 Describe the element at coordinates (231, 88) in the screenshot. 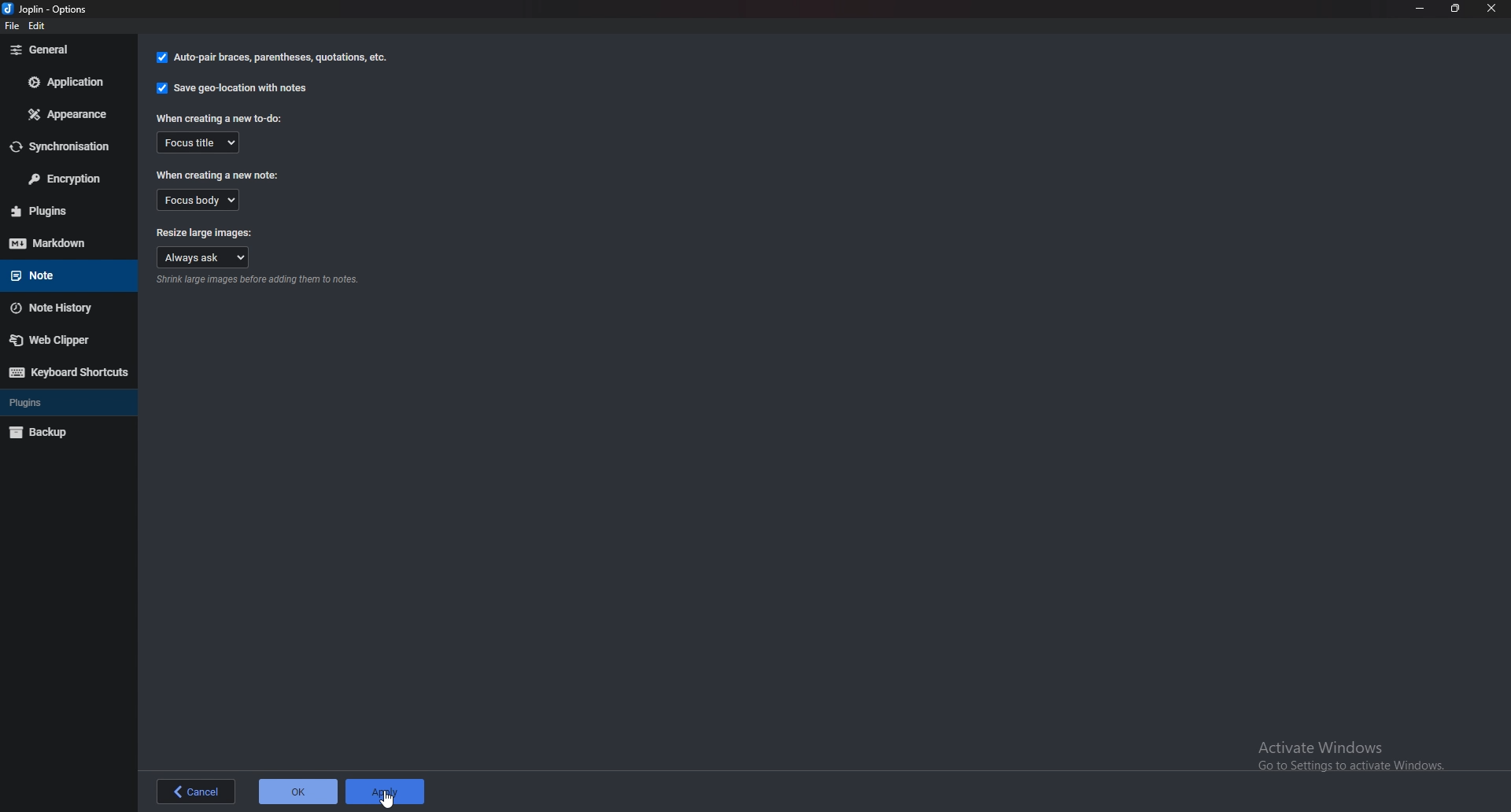

I see `Save geo location with notes` at that location.